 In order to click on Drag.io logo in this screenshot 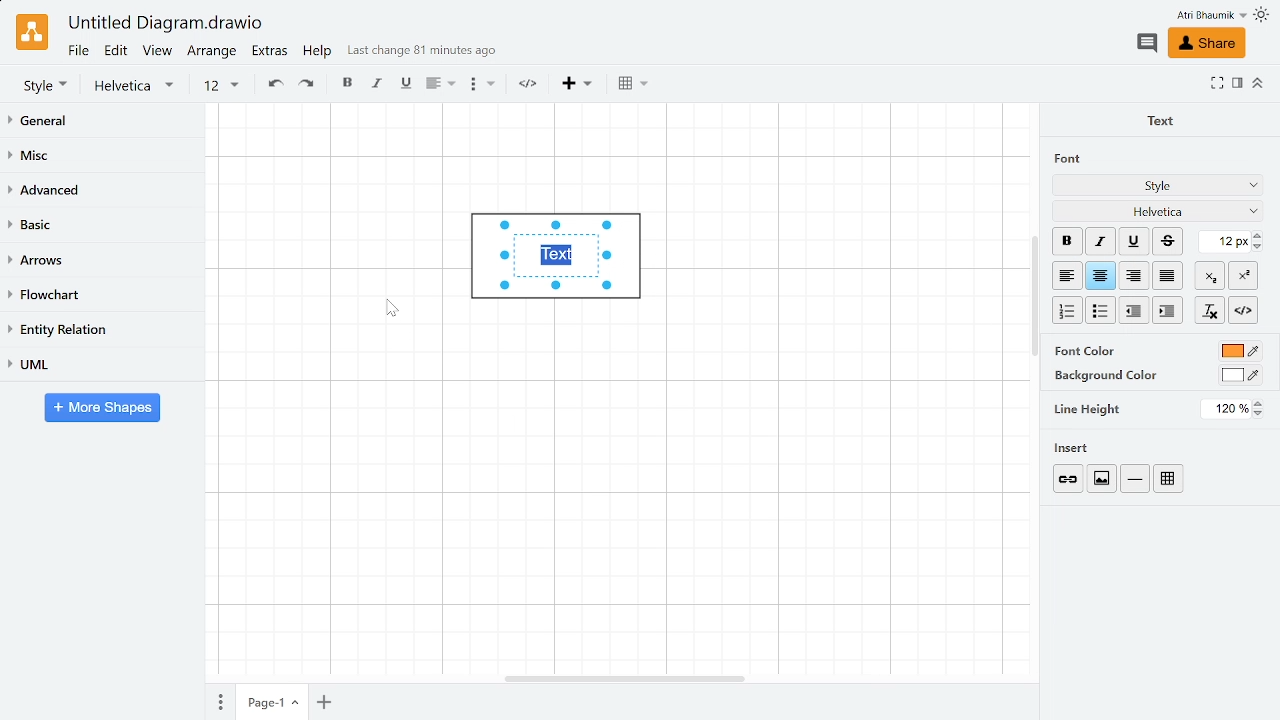, I will do `click(31, 32)`.